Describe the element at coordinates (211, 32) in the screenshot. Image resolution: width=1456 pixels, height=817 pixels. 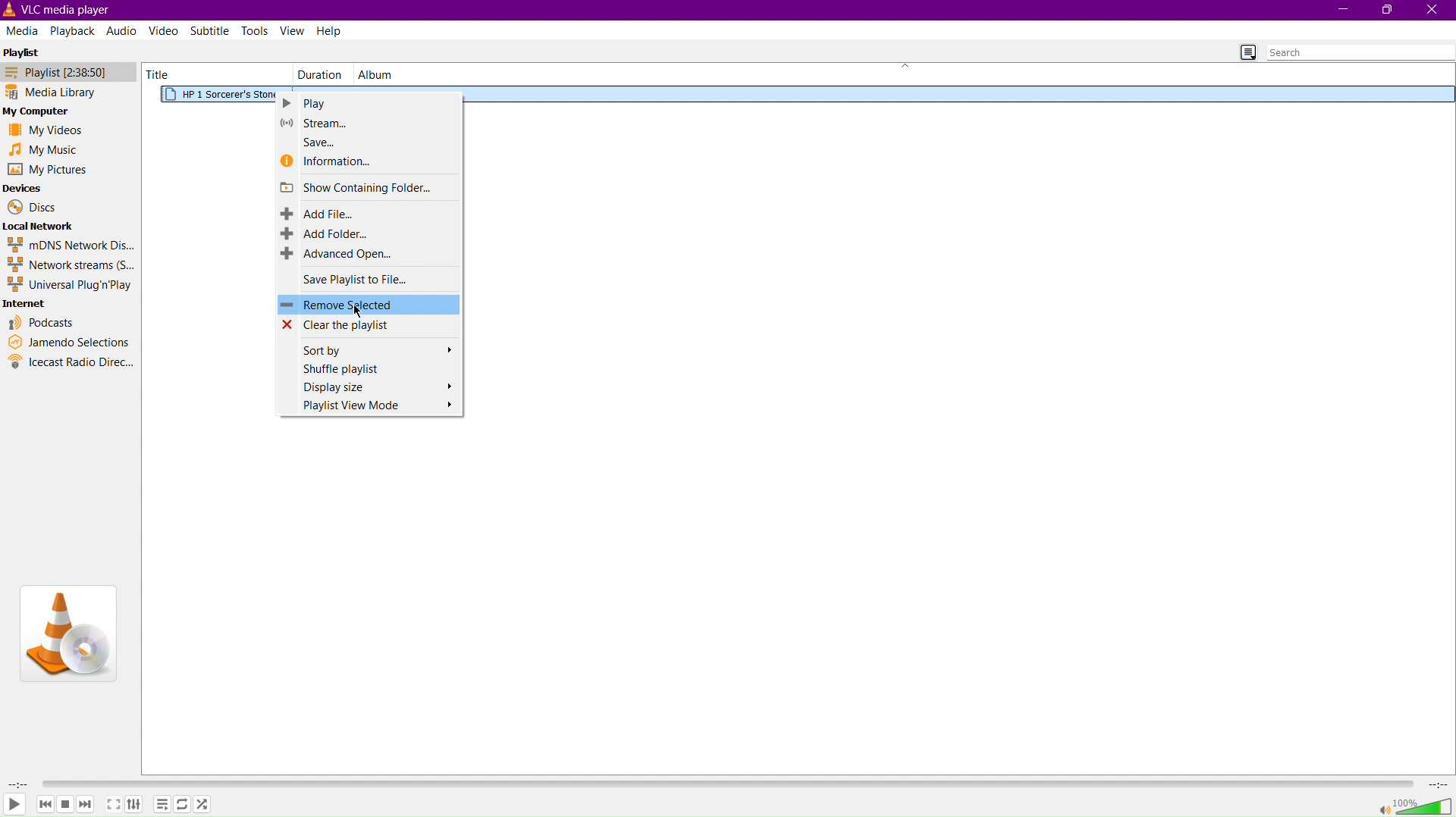
I see `Subtitle` at that location.